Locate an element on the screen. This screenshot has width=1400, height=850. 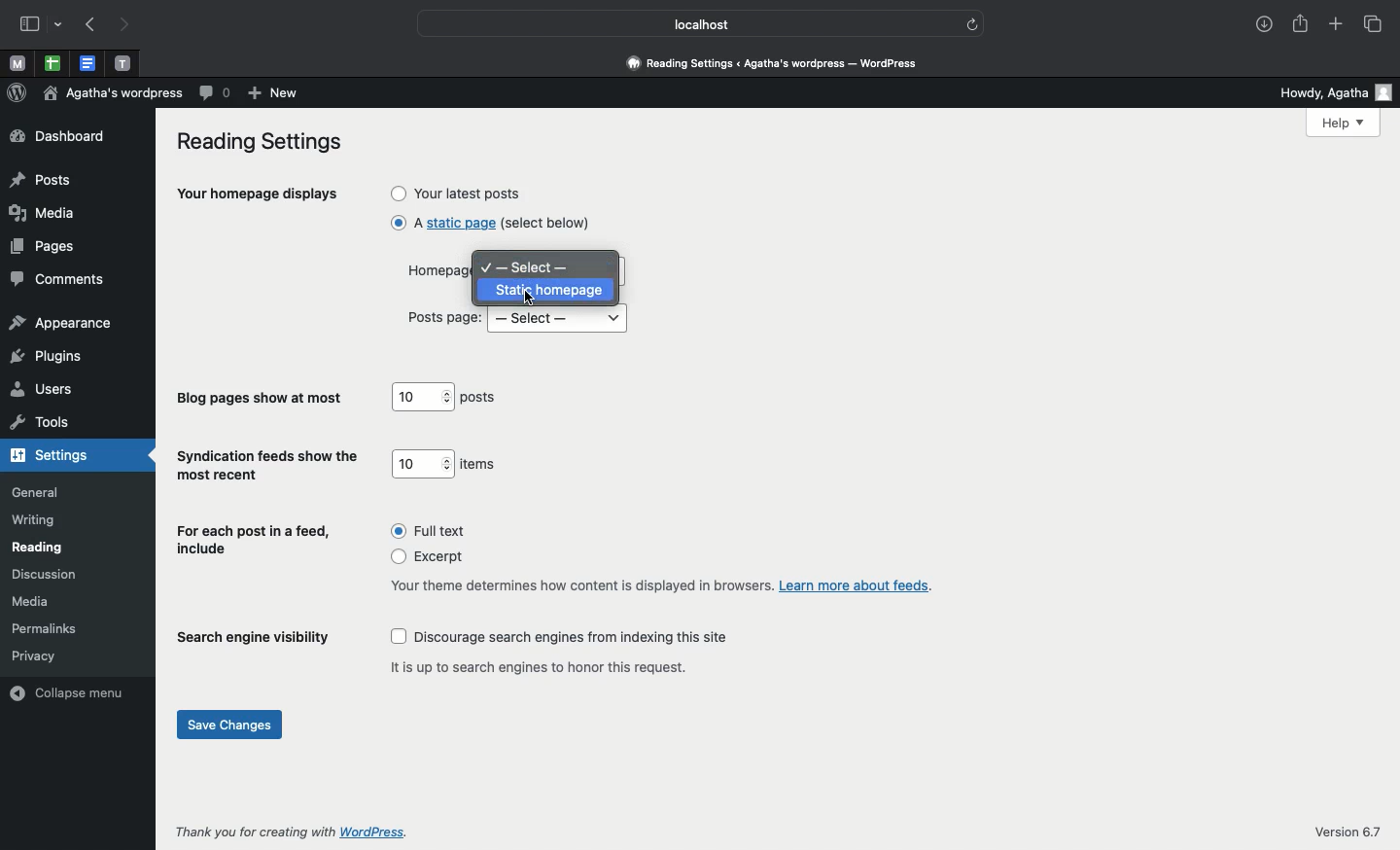
Version 6.7 is located at coordinates (1351, 832).